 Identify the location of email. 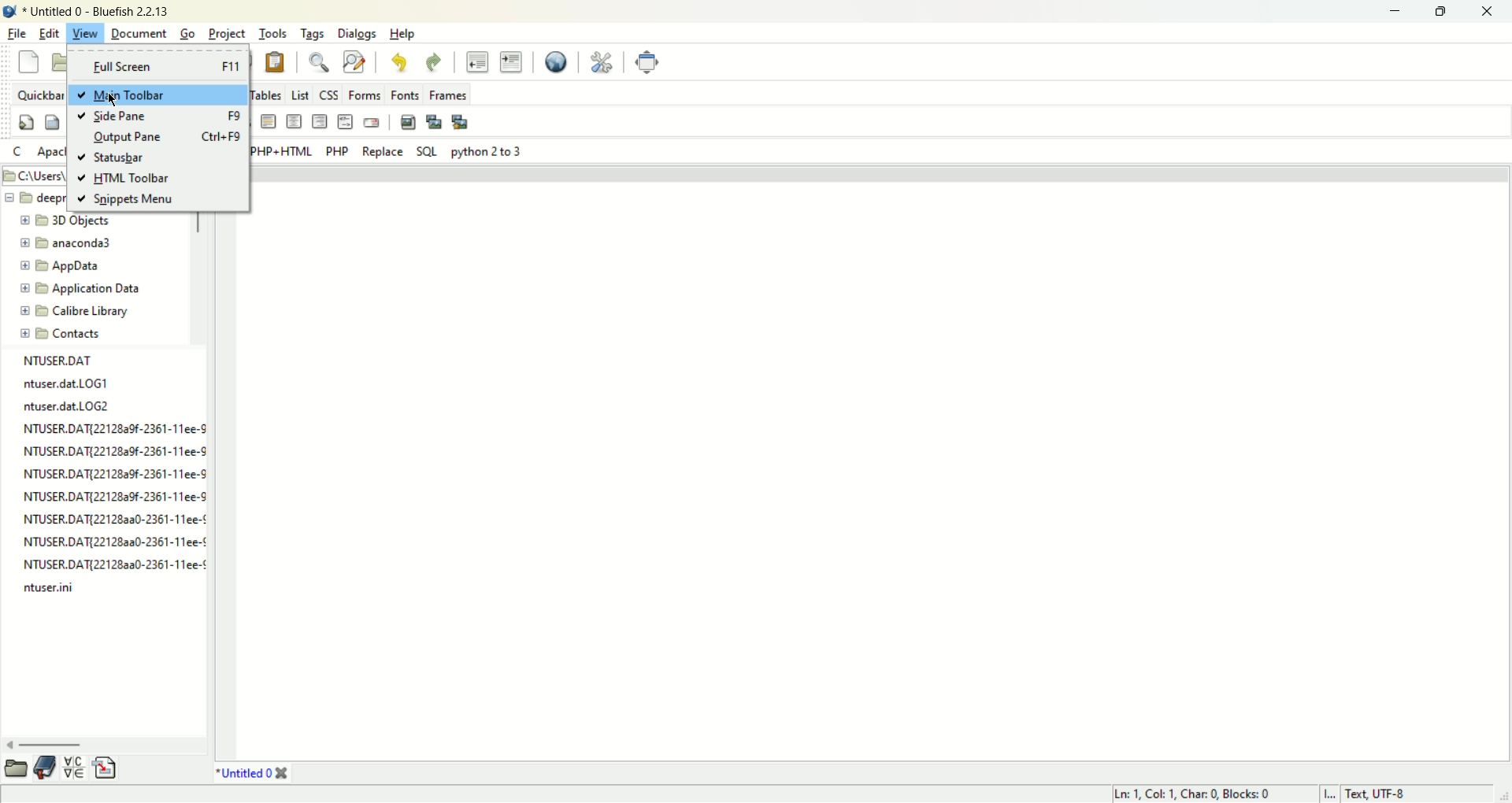
(372, 122).